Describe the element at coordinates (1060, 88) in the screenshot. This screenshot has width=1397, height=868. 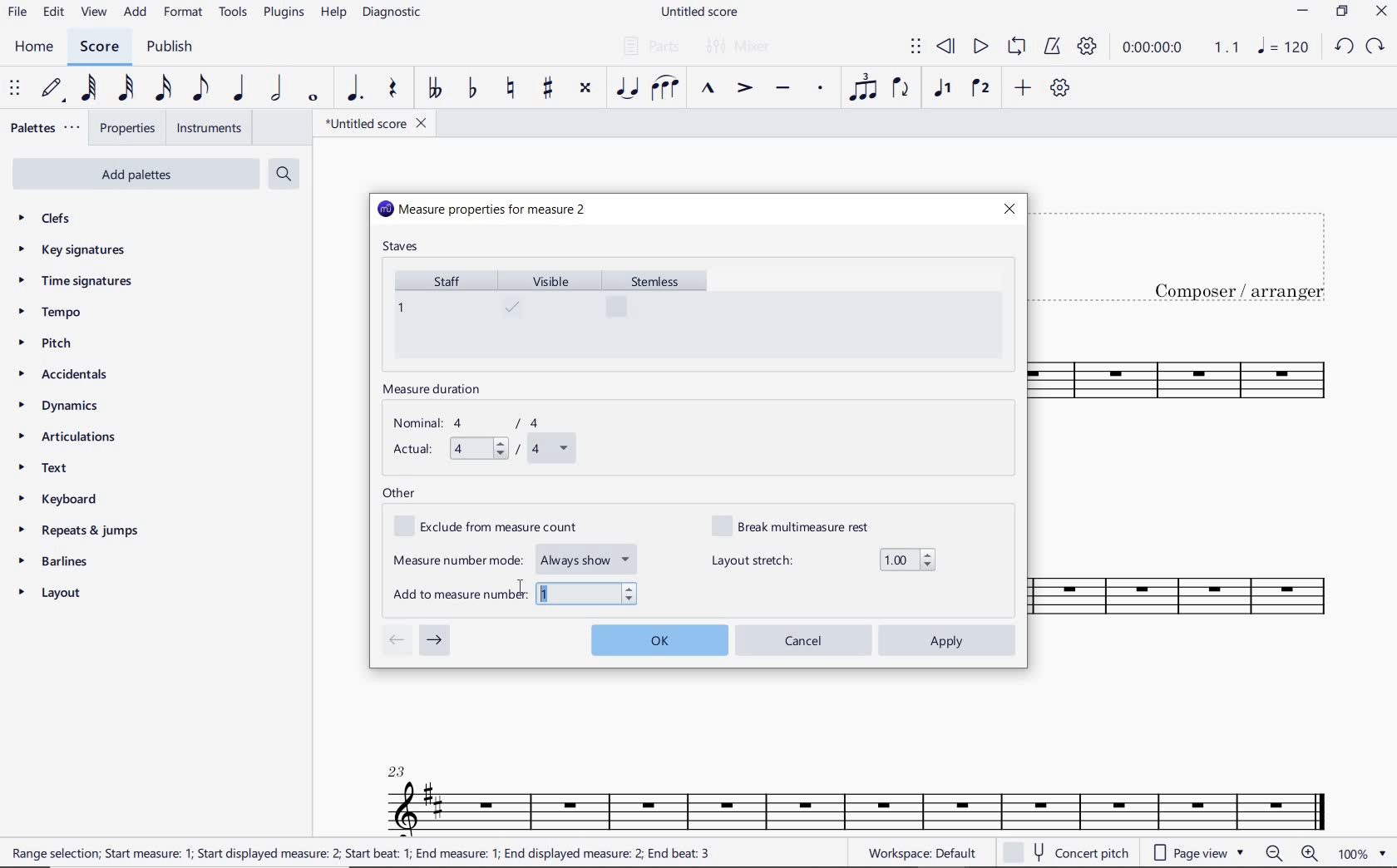
I see `CUSTOMIZE TOOLBAR` at that location.